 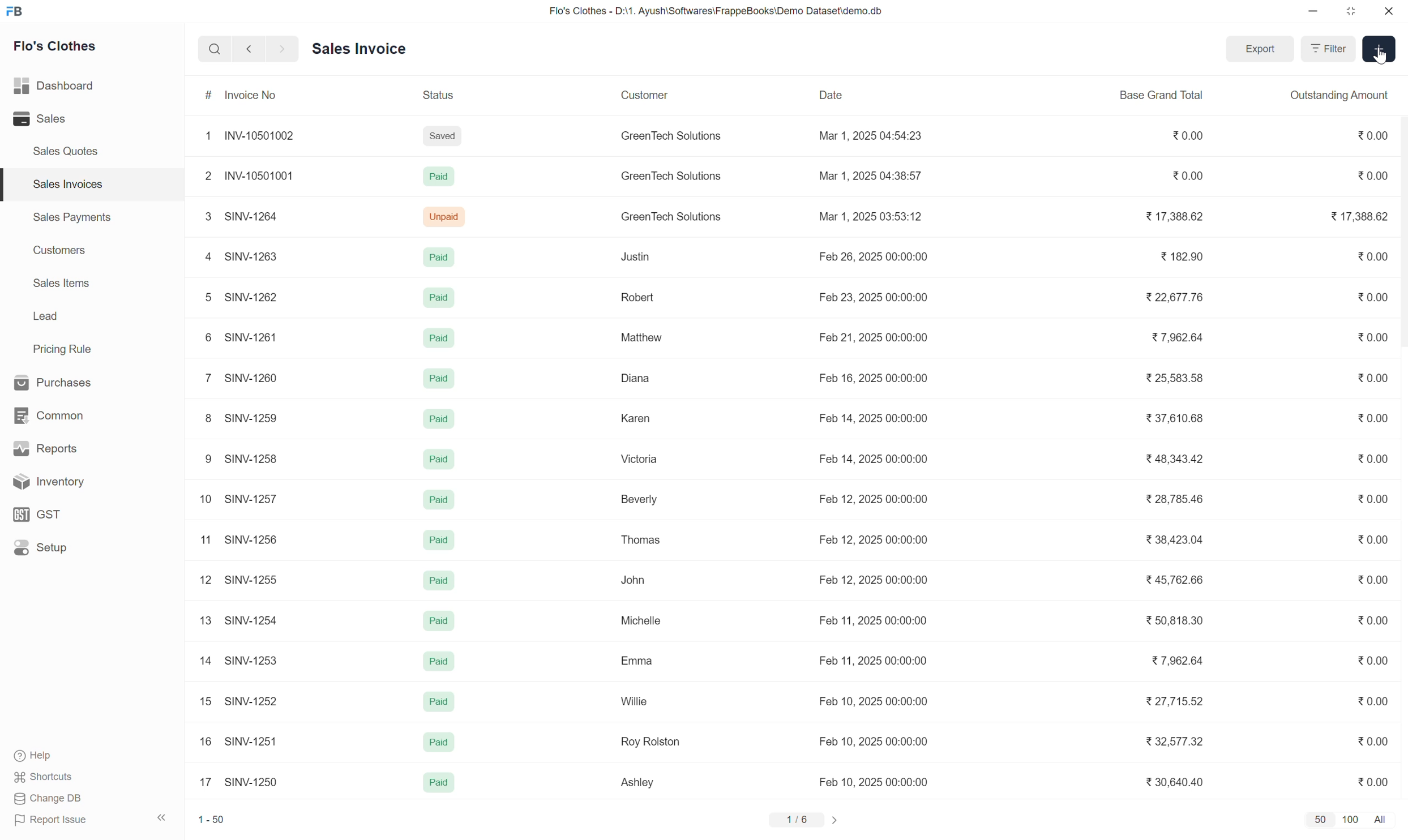 What do you see at coordinates (439, 341) in the screenshot?
I see `Paid` at bounding box center [439, 341].